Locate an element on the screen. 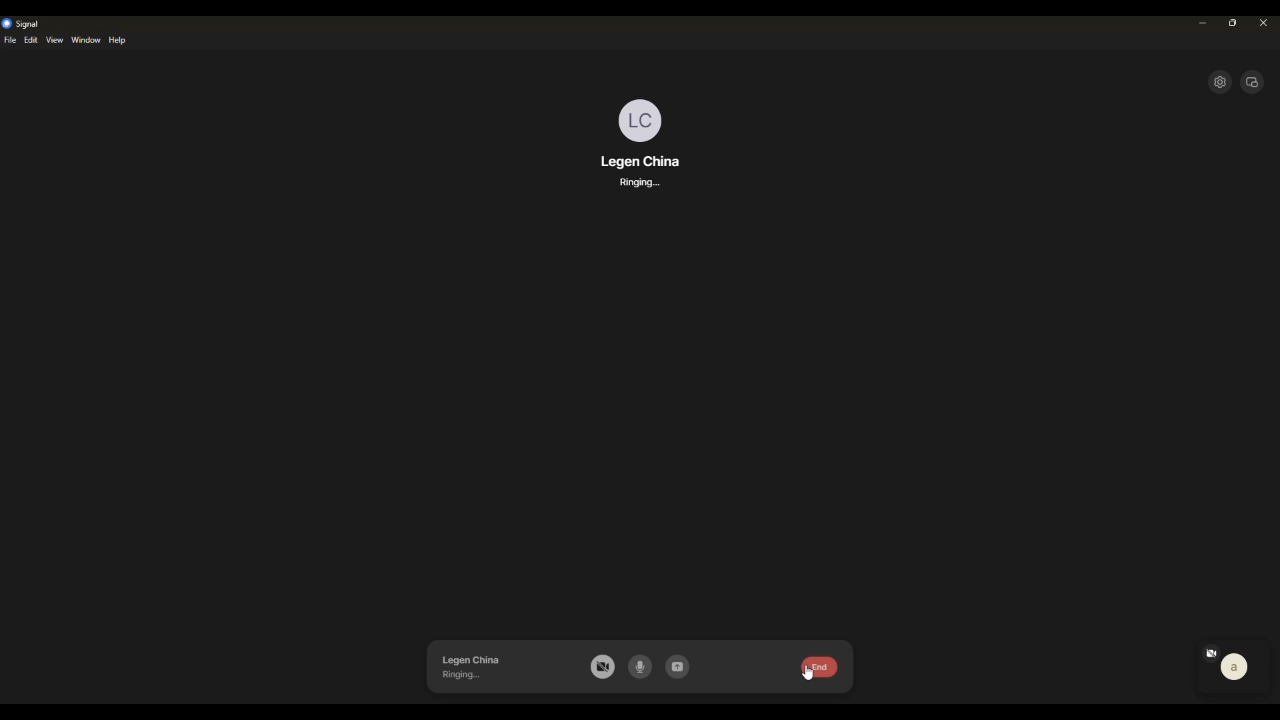 The width and height of the screenshot is (1280, 720). edit is located at coordinates (33, 42).